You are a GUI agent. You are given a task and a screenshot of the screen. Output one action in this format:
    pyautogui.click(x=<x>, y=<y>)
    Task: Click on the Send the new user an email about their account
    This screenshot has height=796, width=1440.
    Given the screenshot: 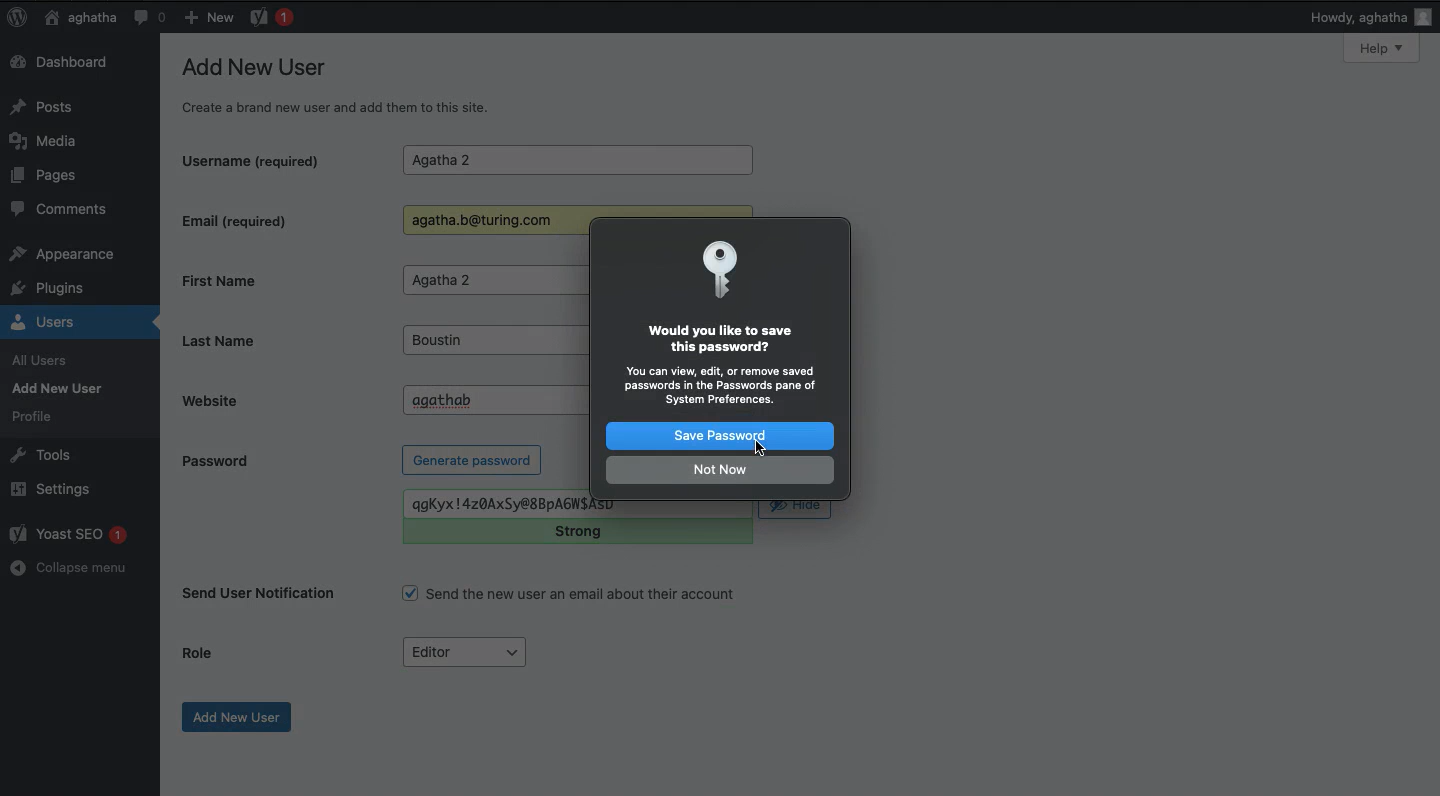 What is the action you would take?
    pyautogui.click(x=572, y=594)
    